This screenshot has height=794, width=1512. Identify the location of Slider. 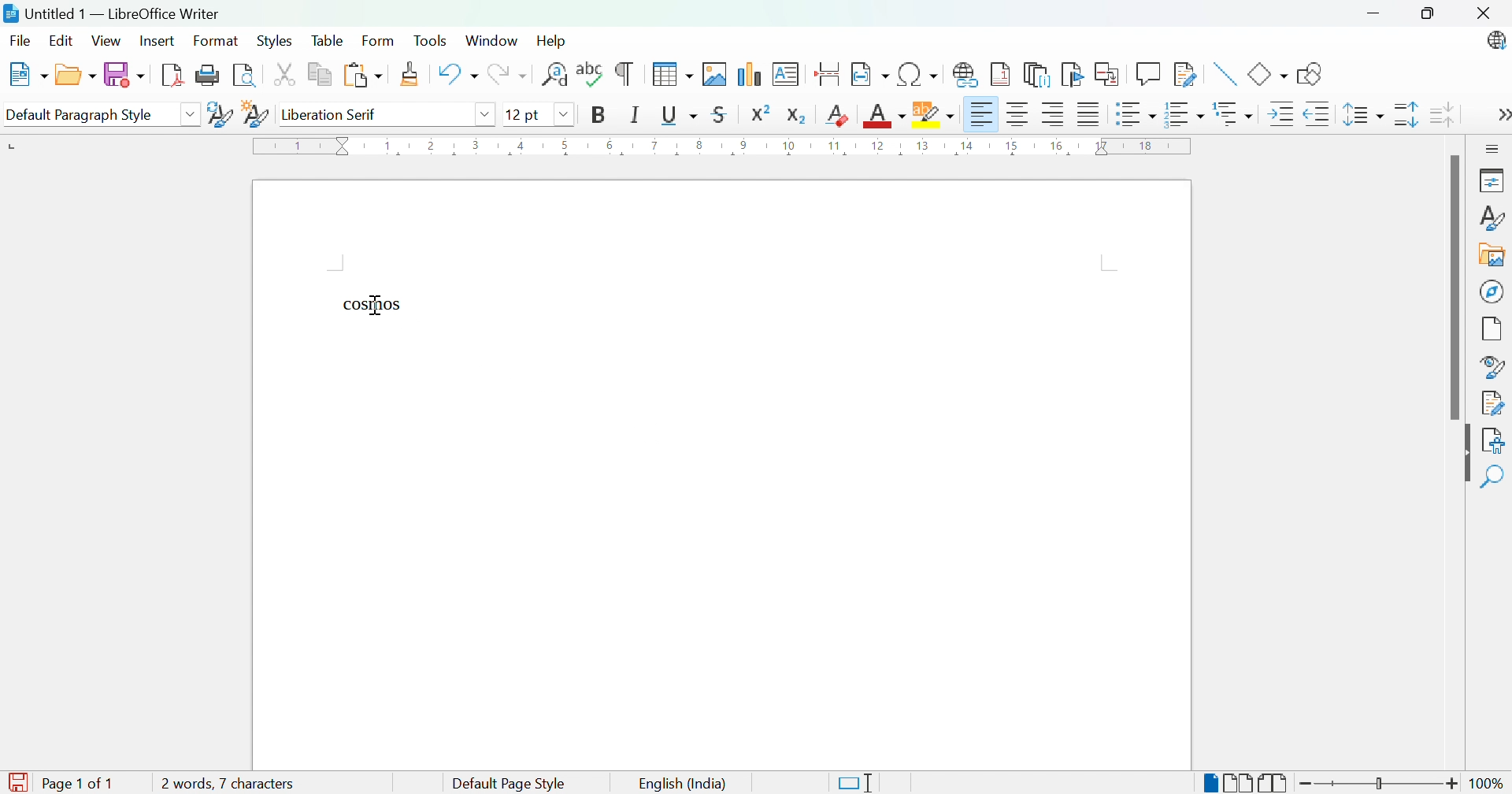
(1379, 783).